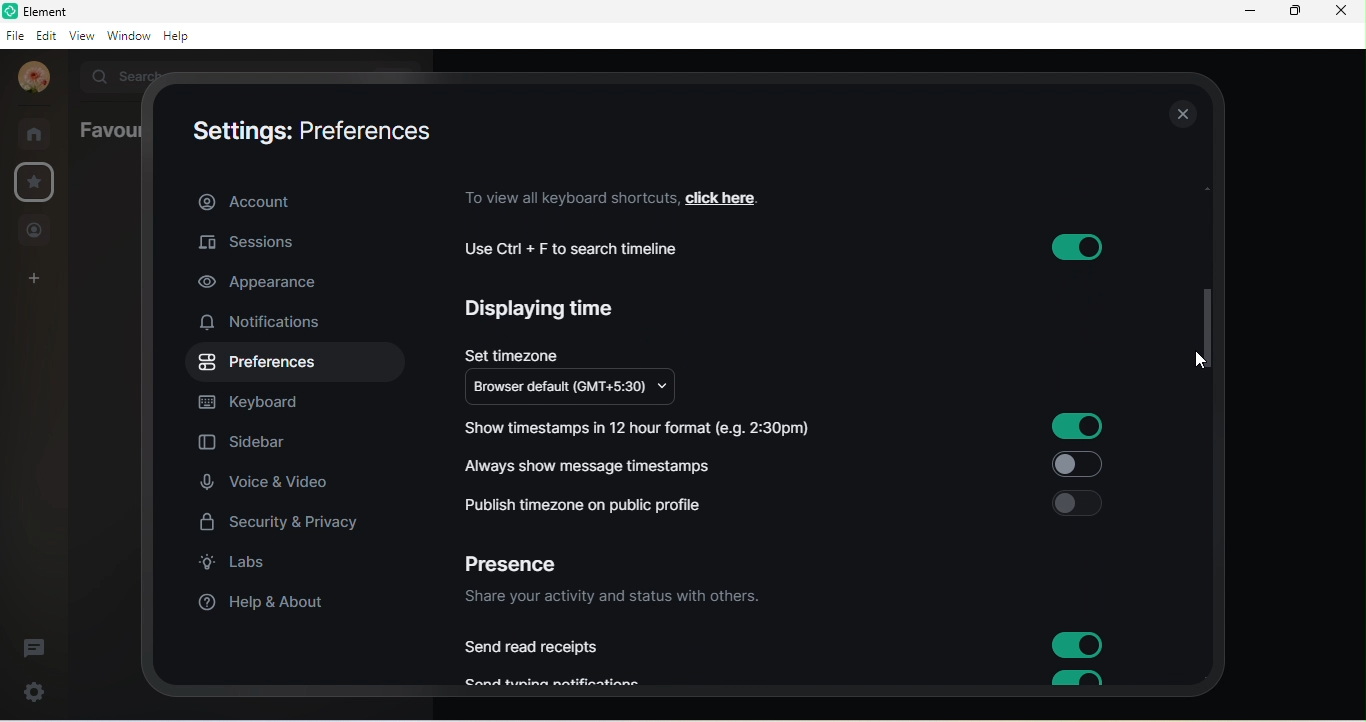  What do you see at coordinates (1078, 503) in the screenshot?
I see `button` at bounding box center [1078, 503].